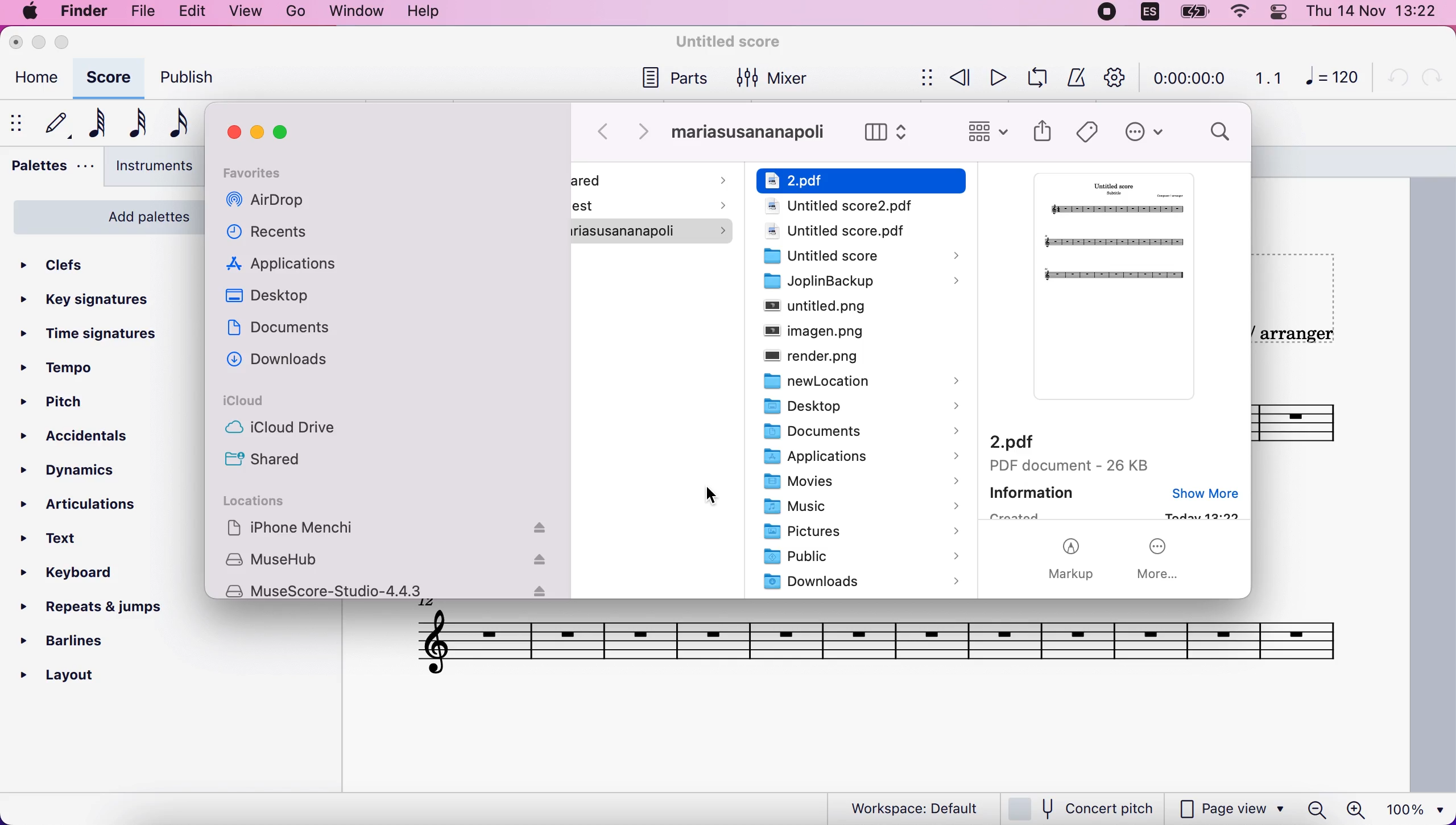 The width and height of the screenshot is (1456, 825). What do you see at coordinates (842, 231) in the screenshot?
I see `= Untitled score.pdf` at bounding box center [842, 231].